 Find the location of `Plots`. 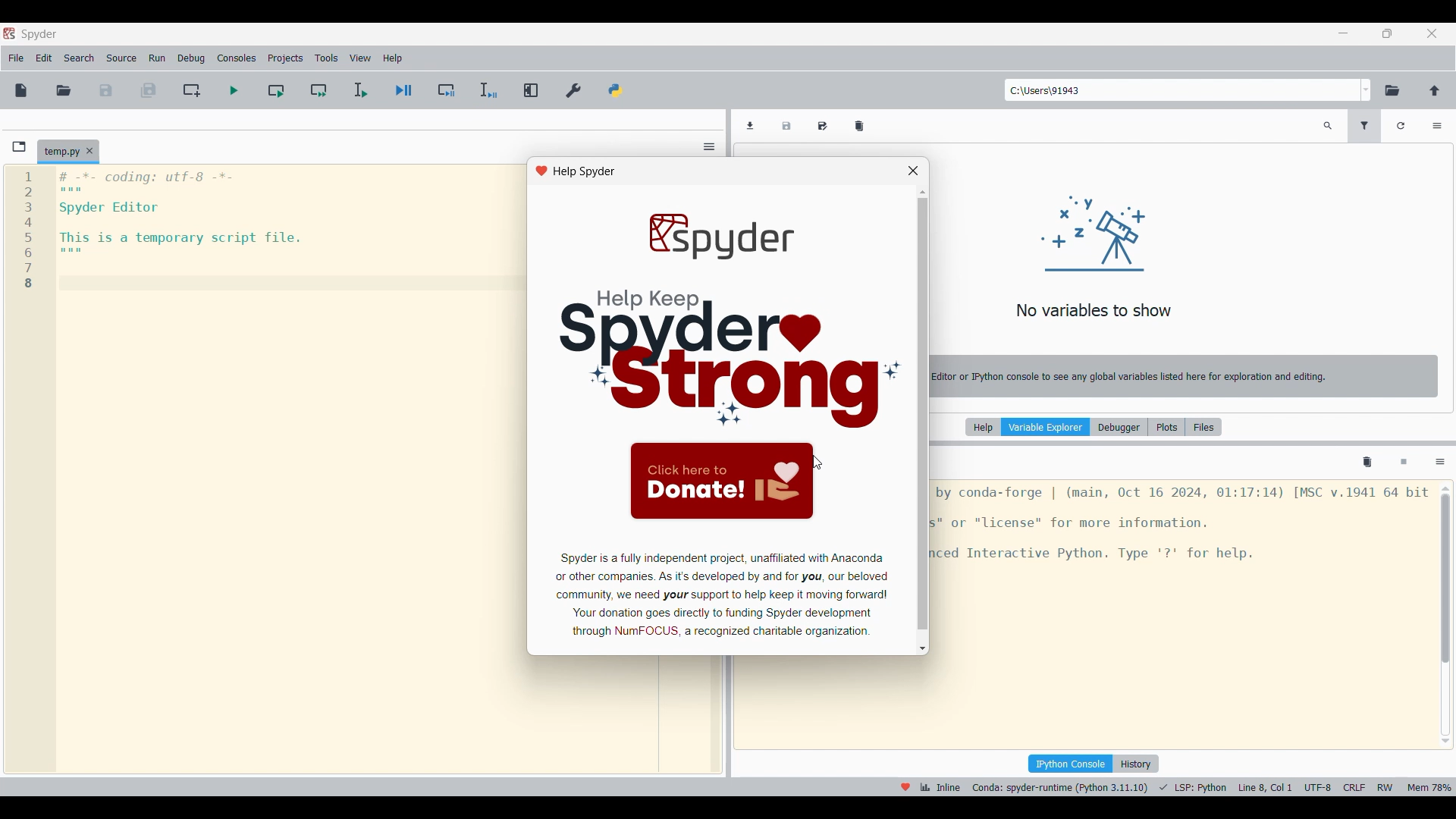

Plots is located at coordinates (1166, 427).